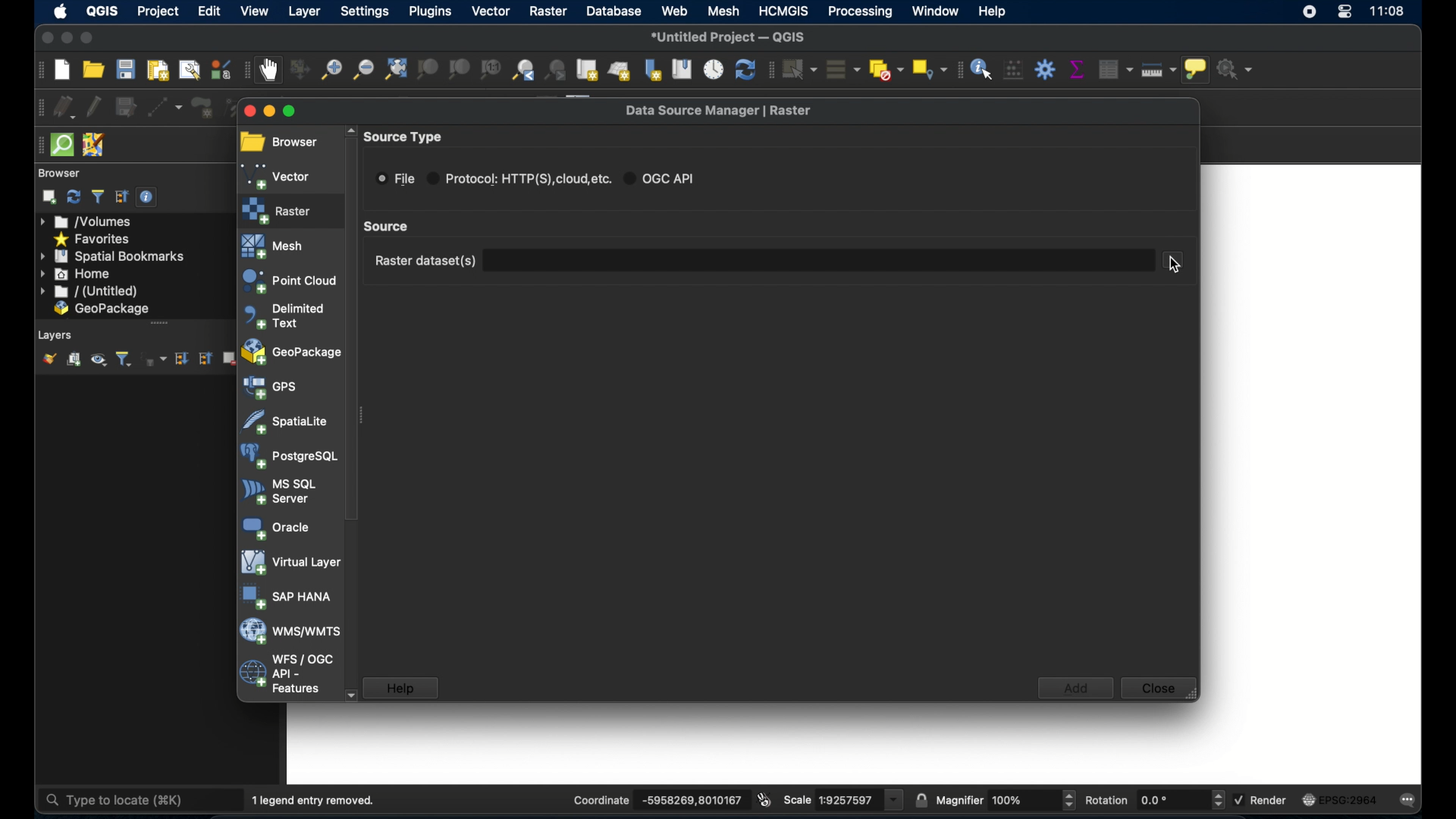  What do you see at coordinates (289, 456) in the screenshot?
I see `postgresql` at bounding box center [289, 456].